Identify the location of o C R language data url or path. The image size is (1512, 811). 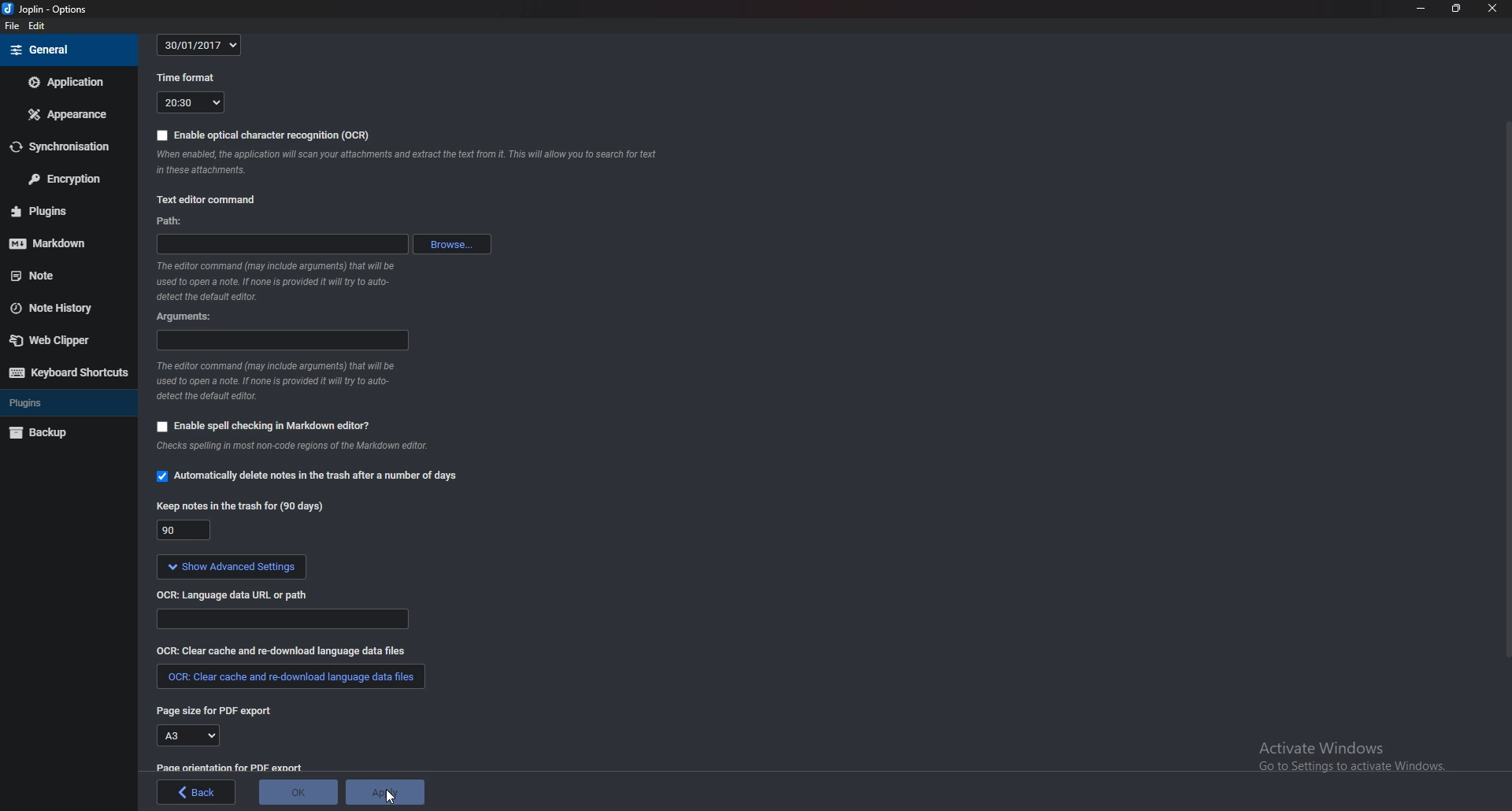
(236, 596).